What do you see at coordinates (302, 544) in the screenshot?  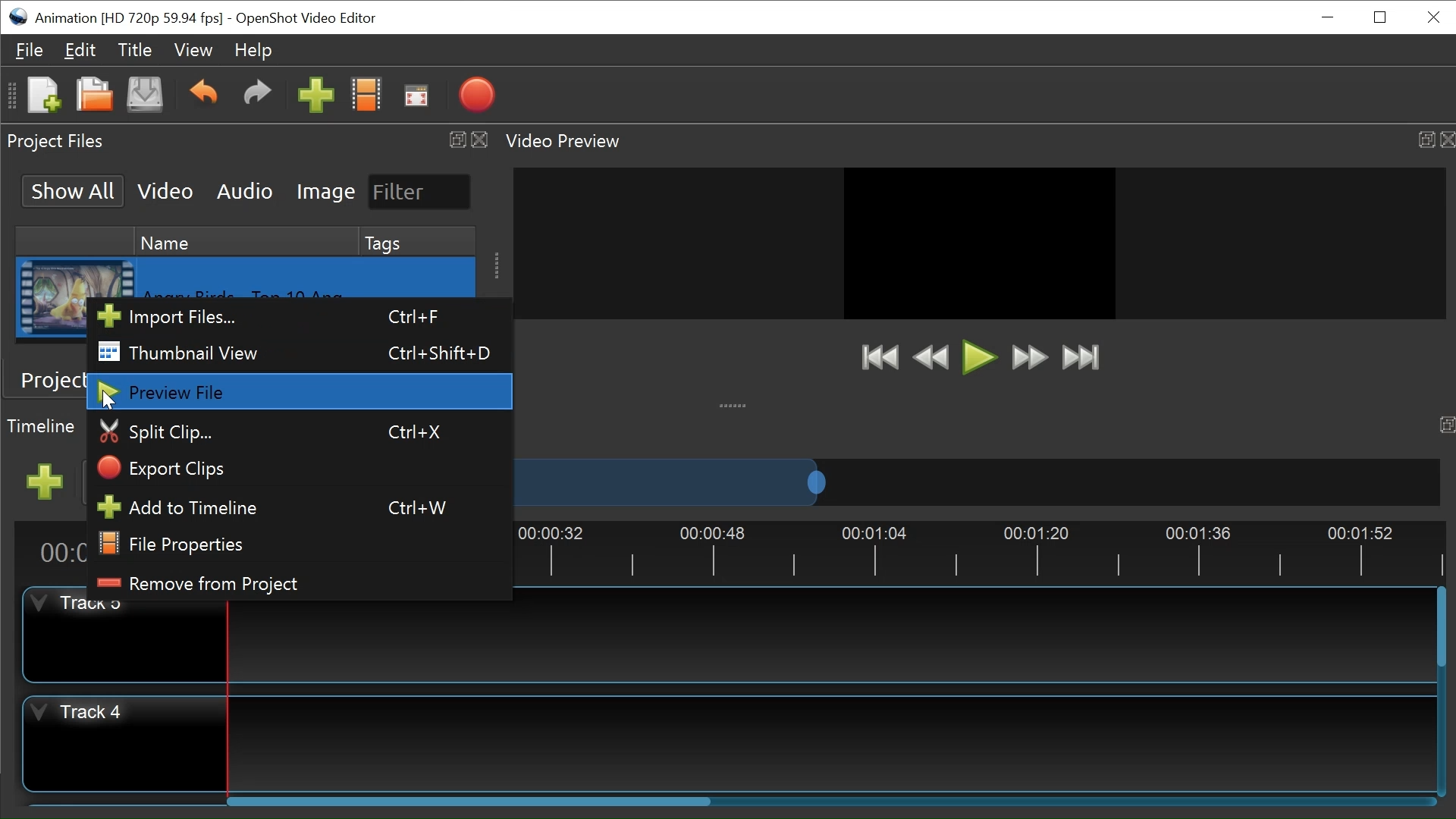 I see `File Properties` at bounding box center [302, 544].